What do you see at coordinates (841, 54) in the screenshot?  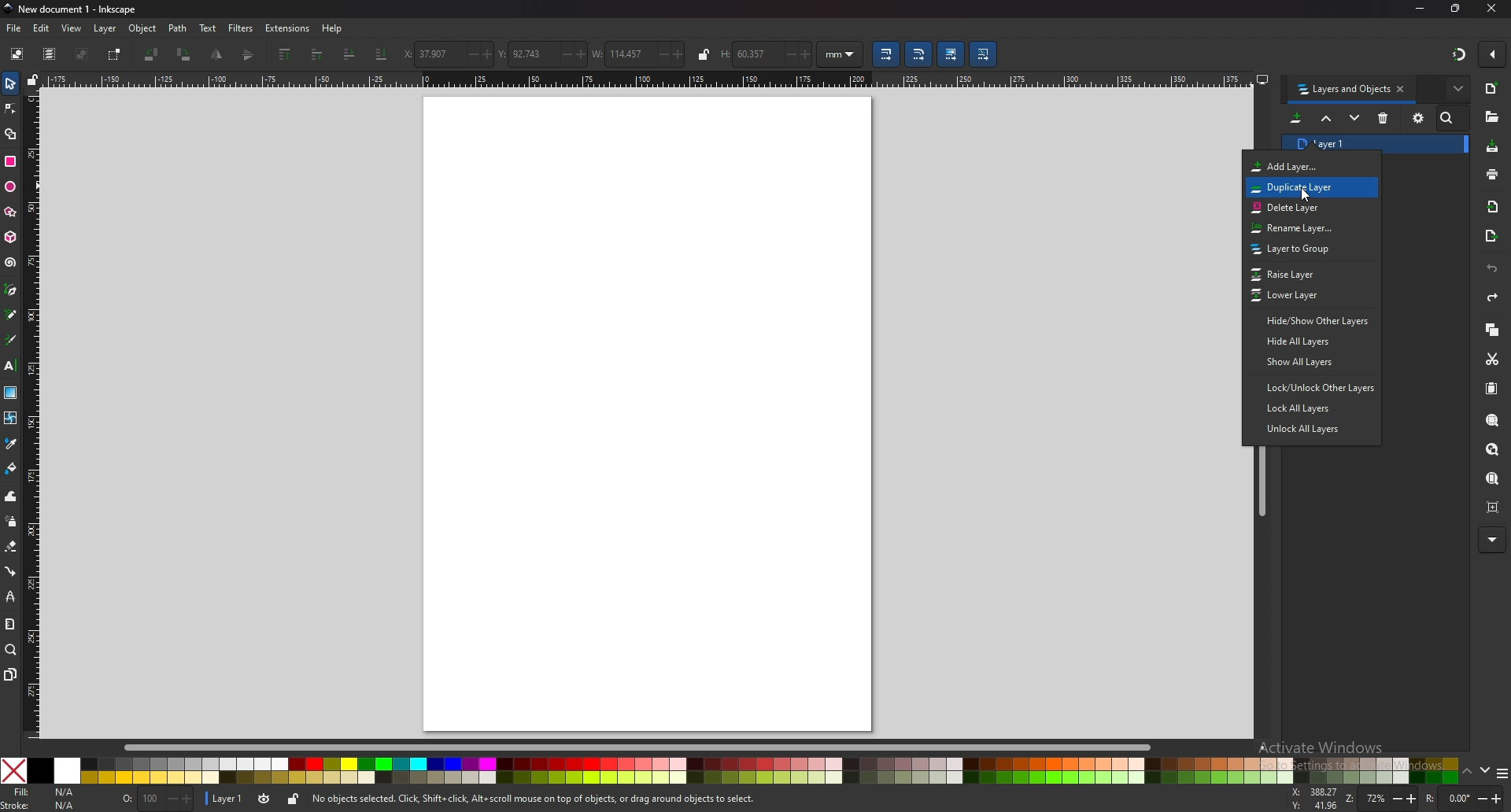 I see `unit` at bounding box center [841, 54].